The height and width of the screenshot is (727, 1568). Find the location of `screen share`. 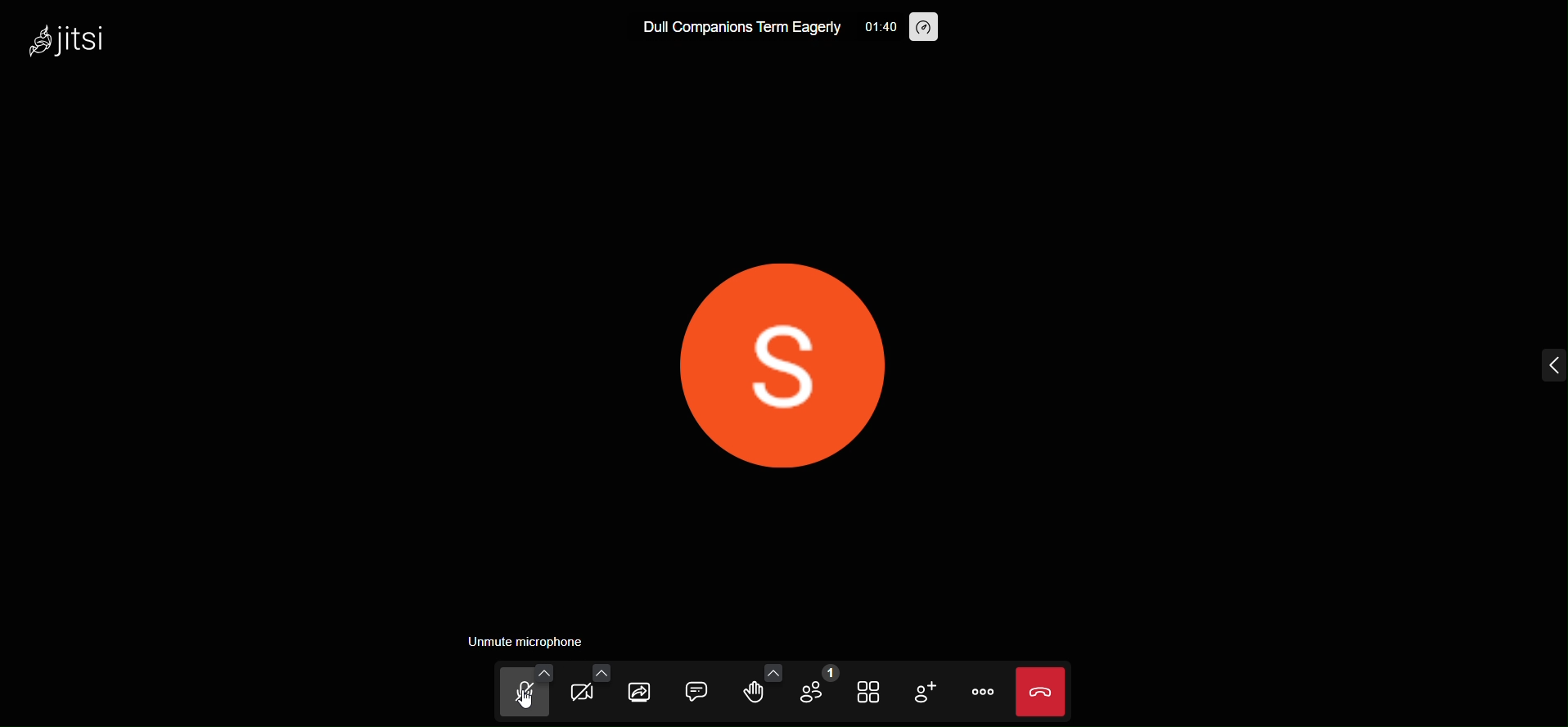

screen share is located at coordinates (640, 693).